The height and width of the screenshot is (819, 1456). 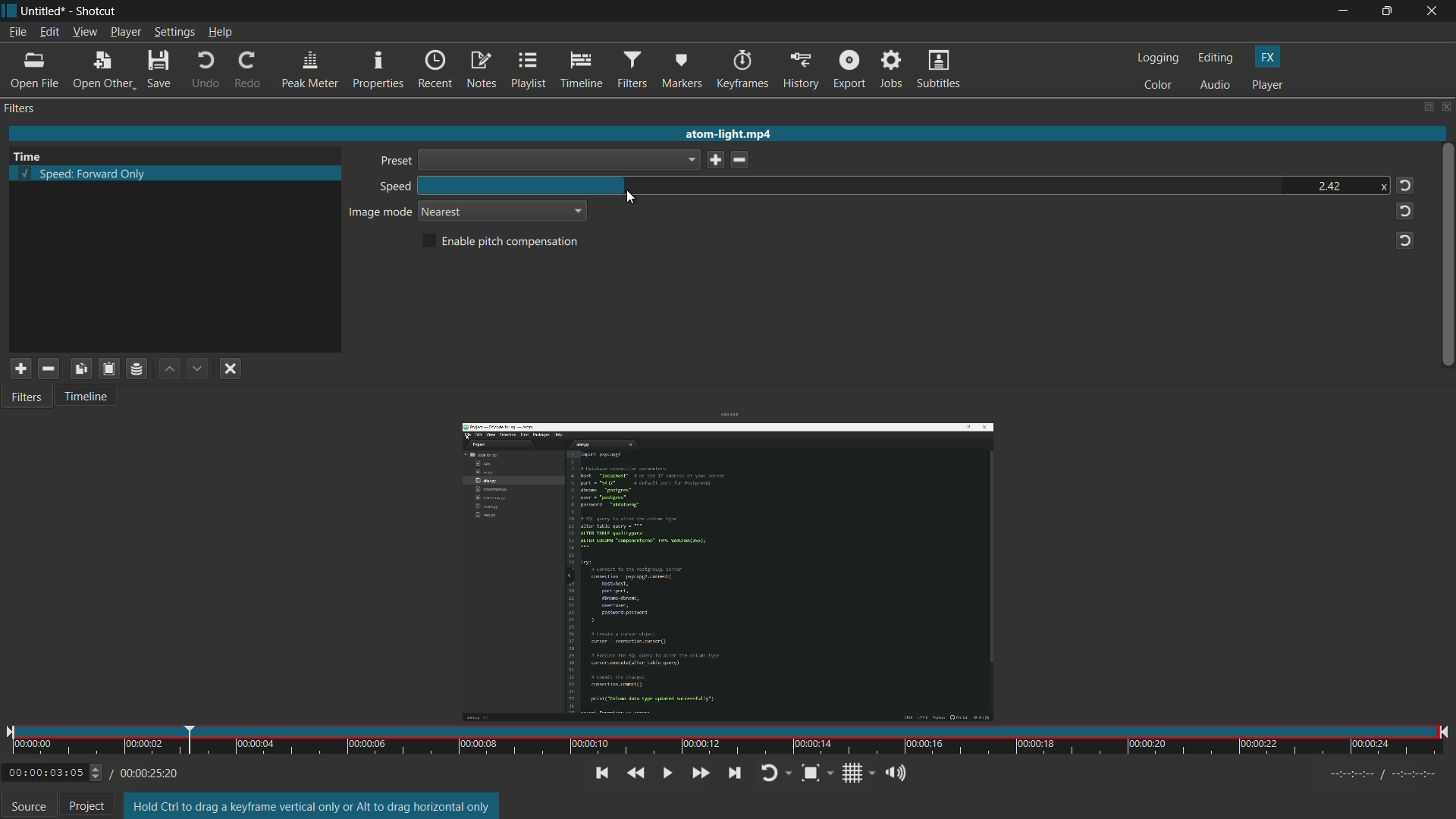 What do you see at coordinates (1389, 11) in the screenshot?
I see `maximize` at bounding box center [1389, 11].